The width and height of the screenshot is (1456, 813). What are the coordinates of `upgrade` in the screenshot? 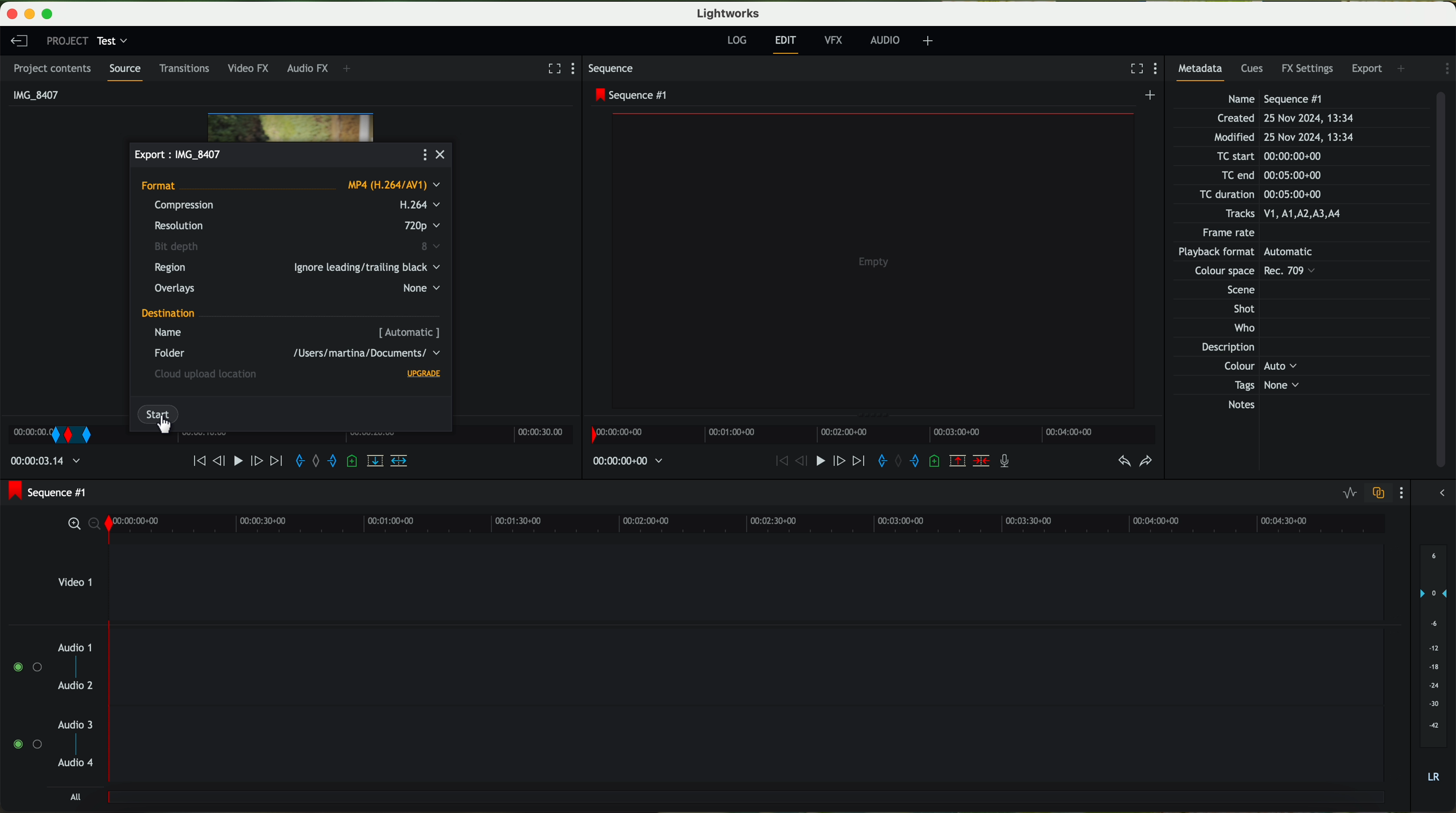 It's located at (425, 374).